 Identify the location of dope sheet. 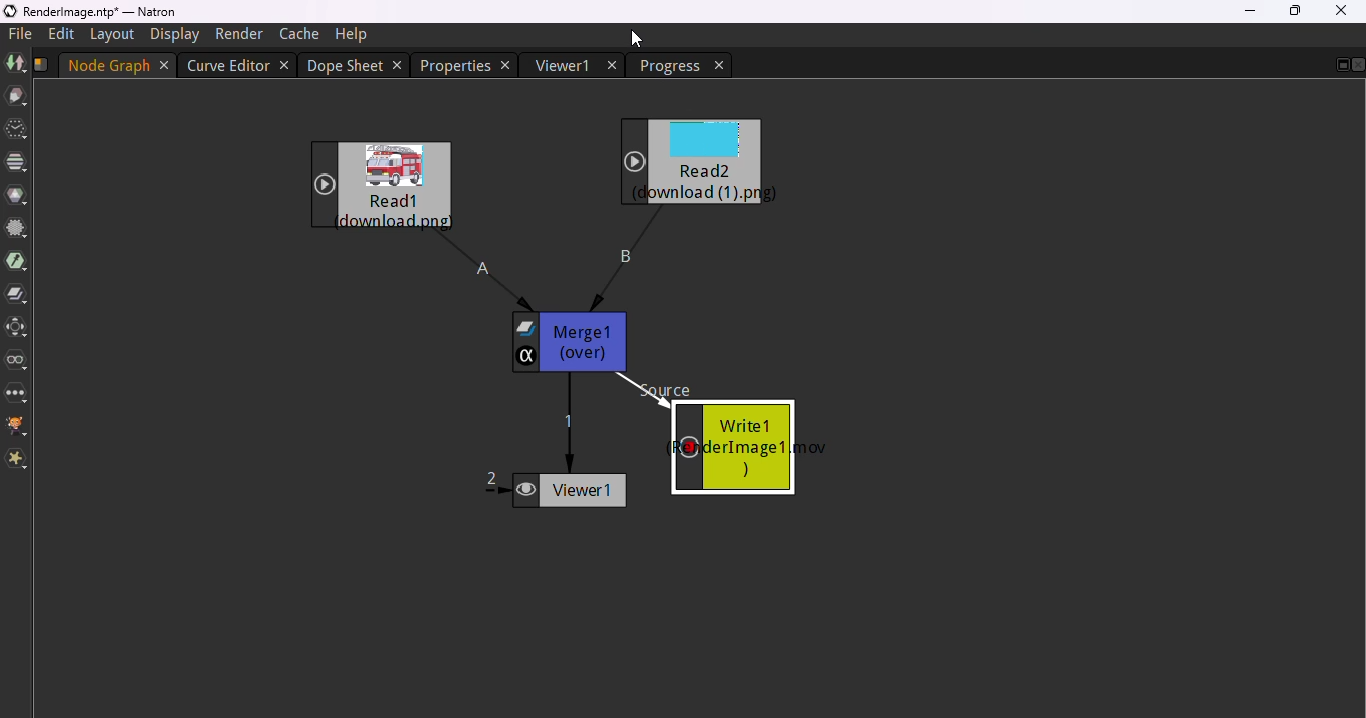
(346, 65).